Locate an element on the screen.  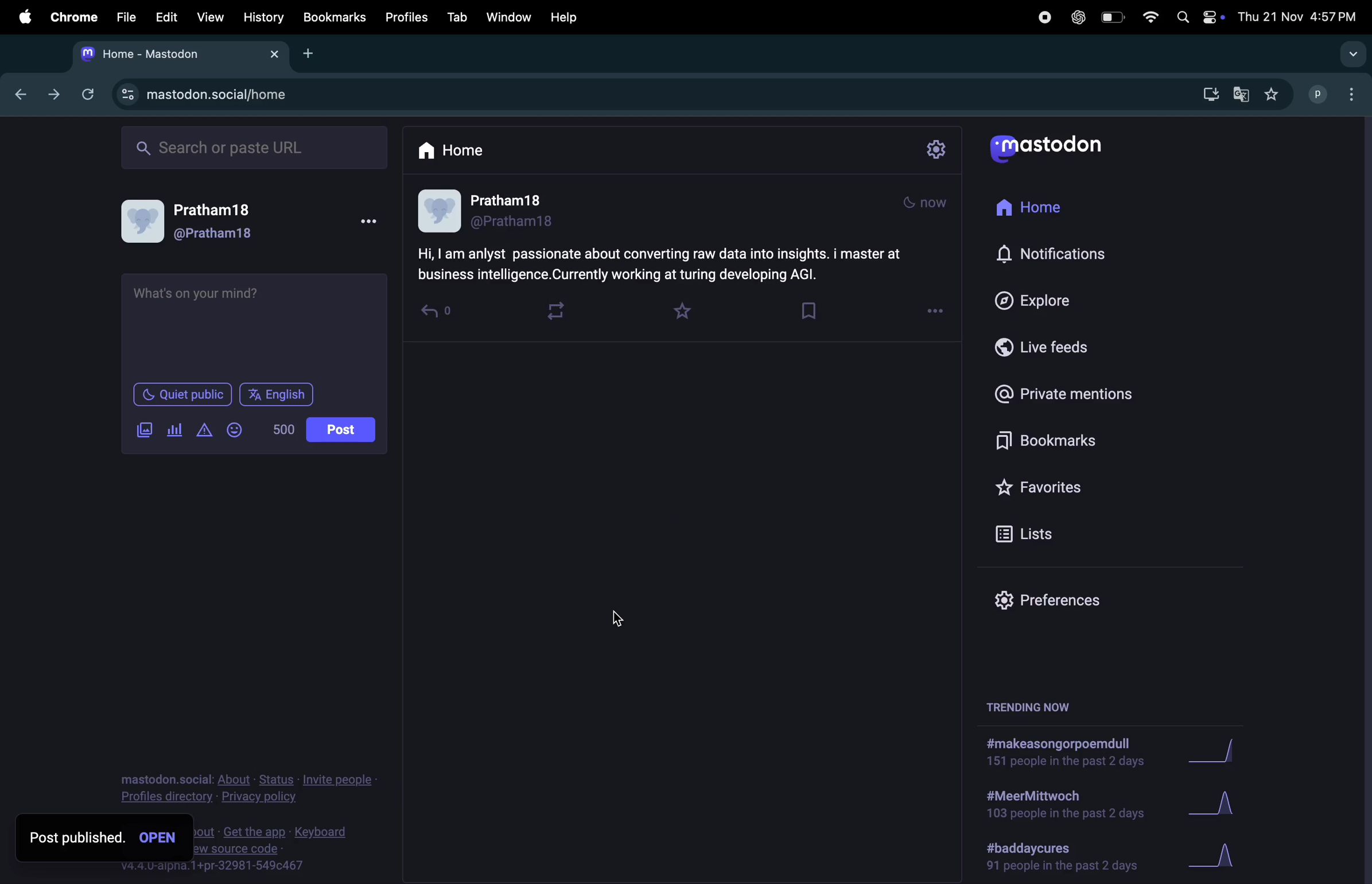
down load is located at coordinates (1205, 96).